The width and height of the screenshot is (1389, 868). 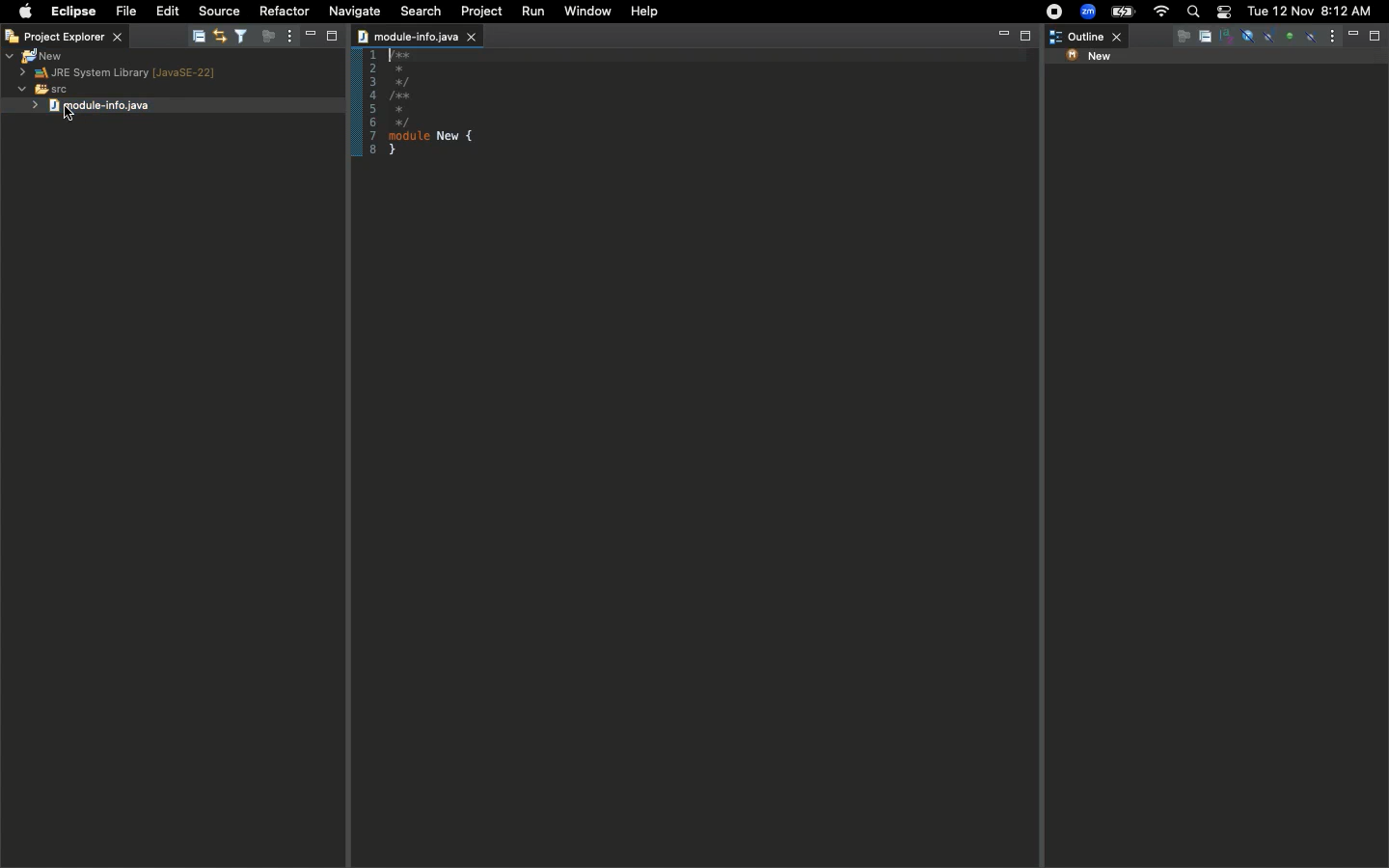 What do you see at coordinates (1159, 13) in the screenshot?
I see `Internet` at bounding box center [1159, 13].